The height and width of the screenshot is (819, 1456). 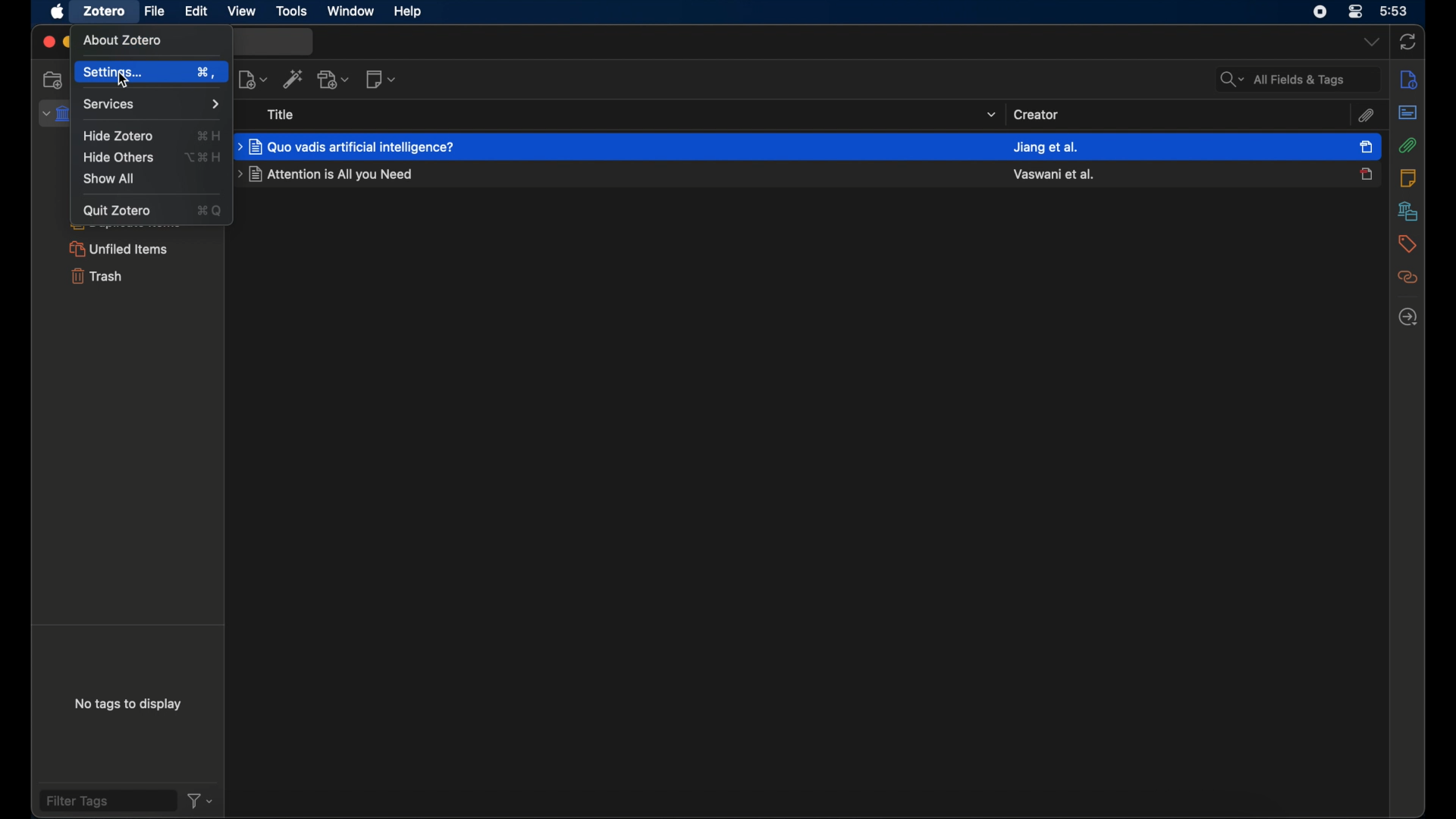 I want to click on attachements, so click(x=1366, y=115).